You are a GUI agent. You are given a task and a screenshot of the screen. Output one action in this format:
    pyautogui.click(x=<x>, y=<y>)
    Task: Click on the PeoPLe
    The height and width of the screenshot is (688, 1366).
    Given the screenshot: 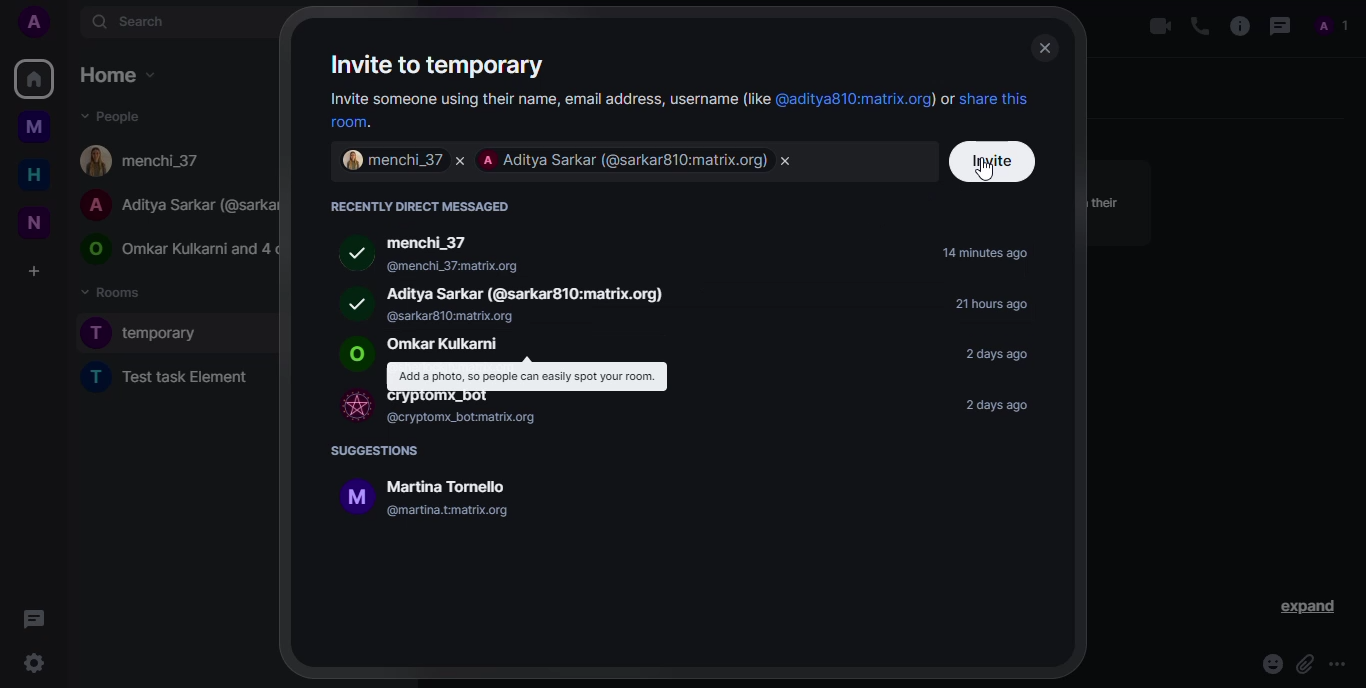 What is the action you would take?
    pyautogui.click(x=174, y=203)
    